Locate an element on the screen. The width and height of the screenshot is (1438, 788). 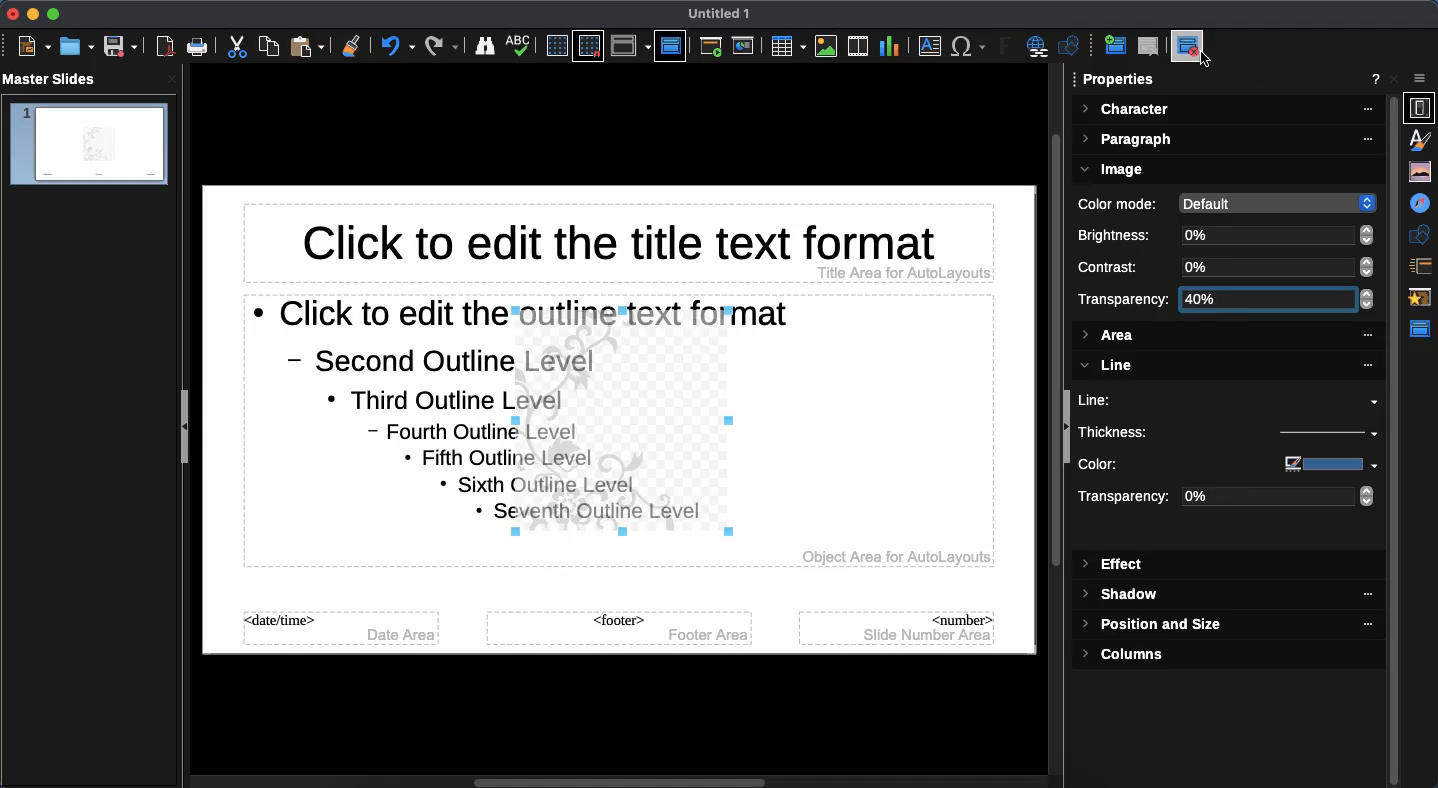
Redo is located at coordinates (442, 46).